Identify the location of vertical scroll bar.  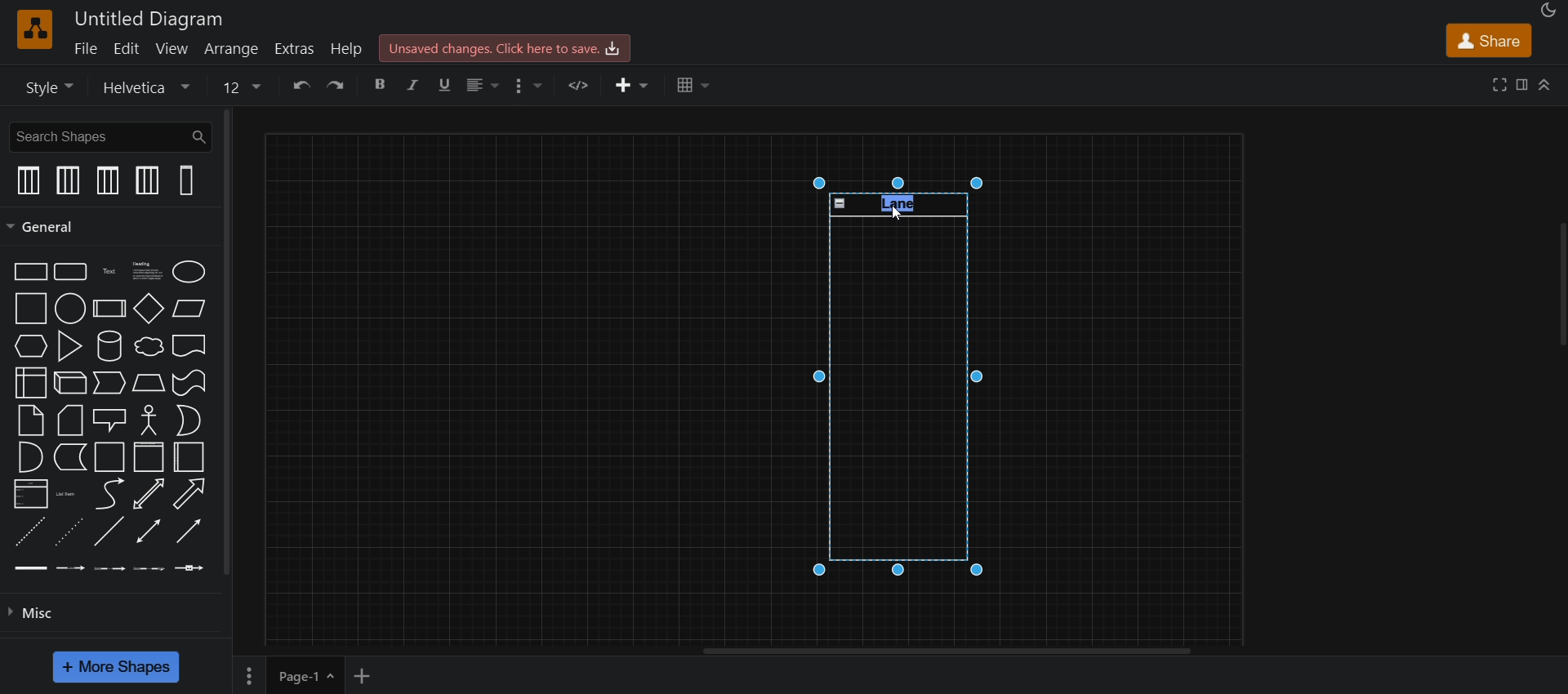
(233, 342).